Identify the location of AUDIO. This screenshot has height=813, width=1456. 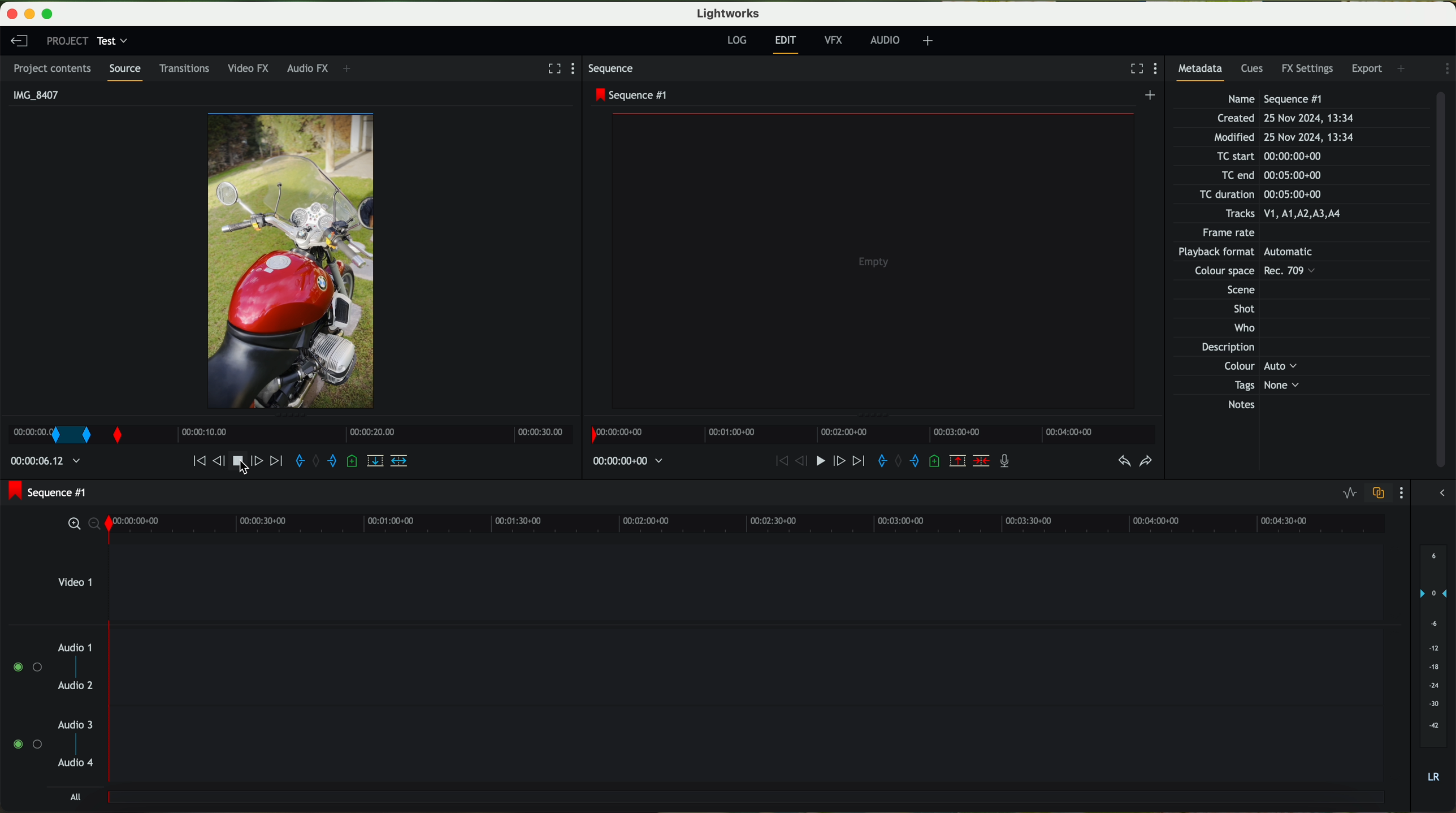
(883, 40).